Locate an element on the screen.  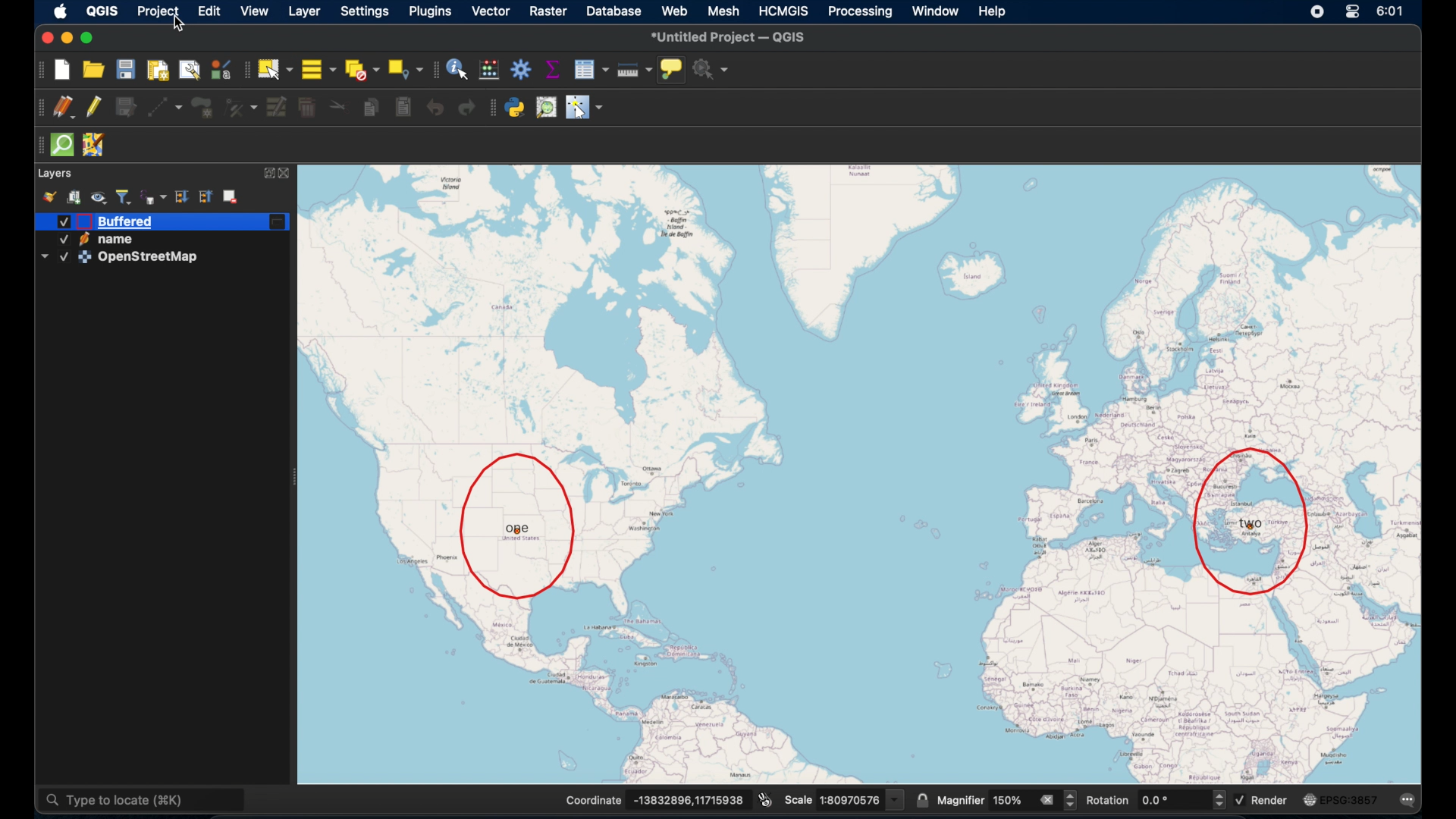
add group is located at coordinates (74, 197).